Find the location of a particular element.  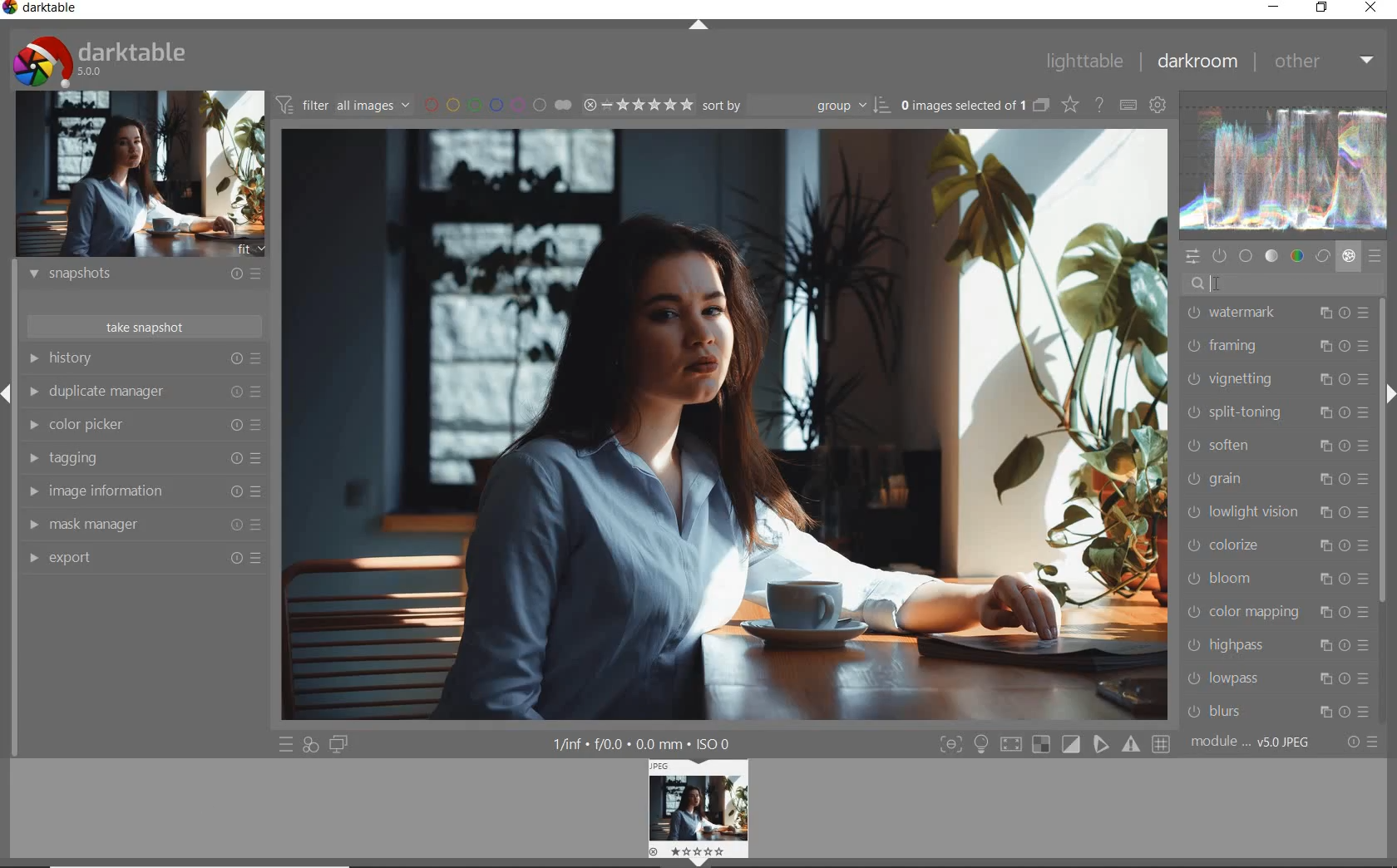

darkroom is located at coordinates (1197, 62).